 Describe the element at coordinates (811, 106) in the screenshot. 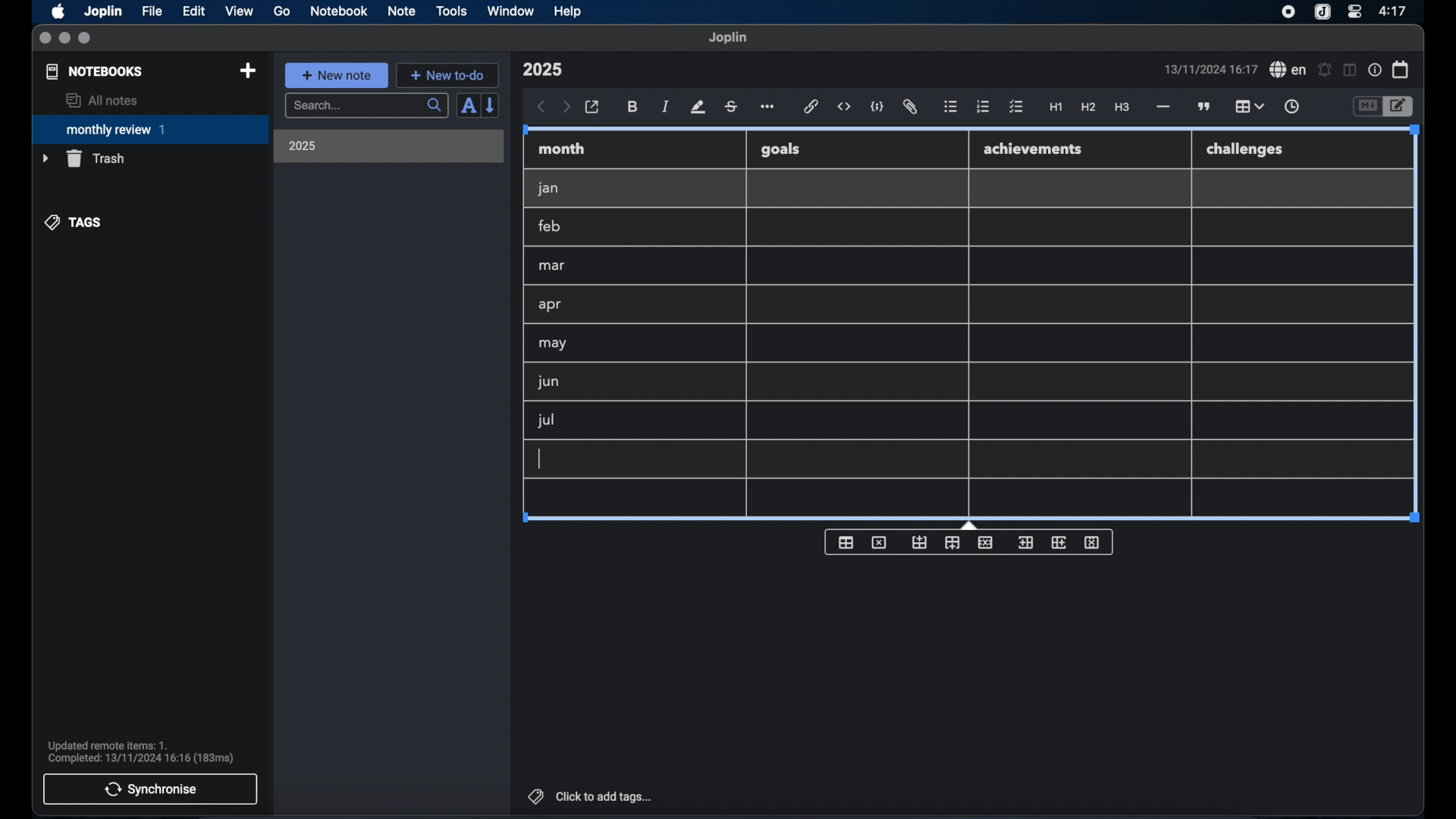

I see `hyperlink` at that location.